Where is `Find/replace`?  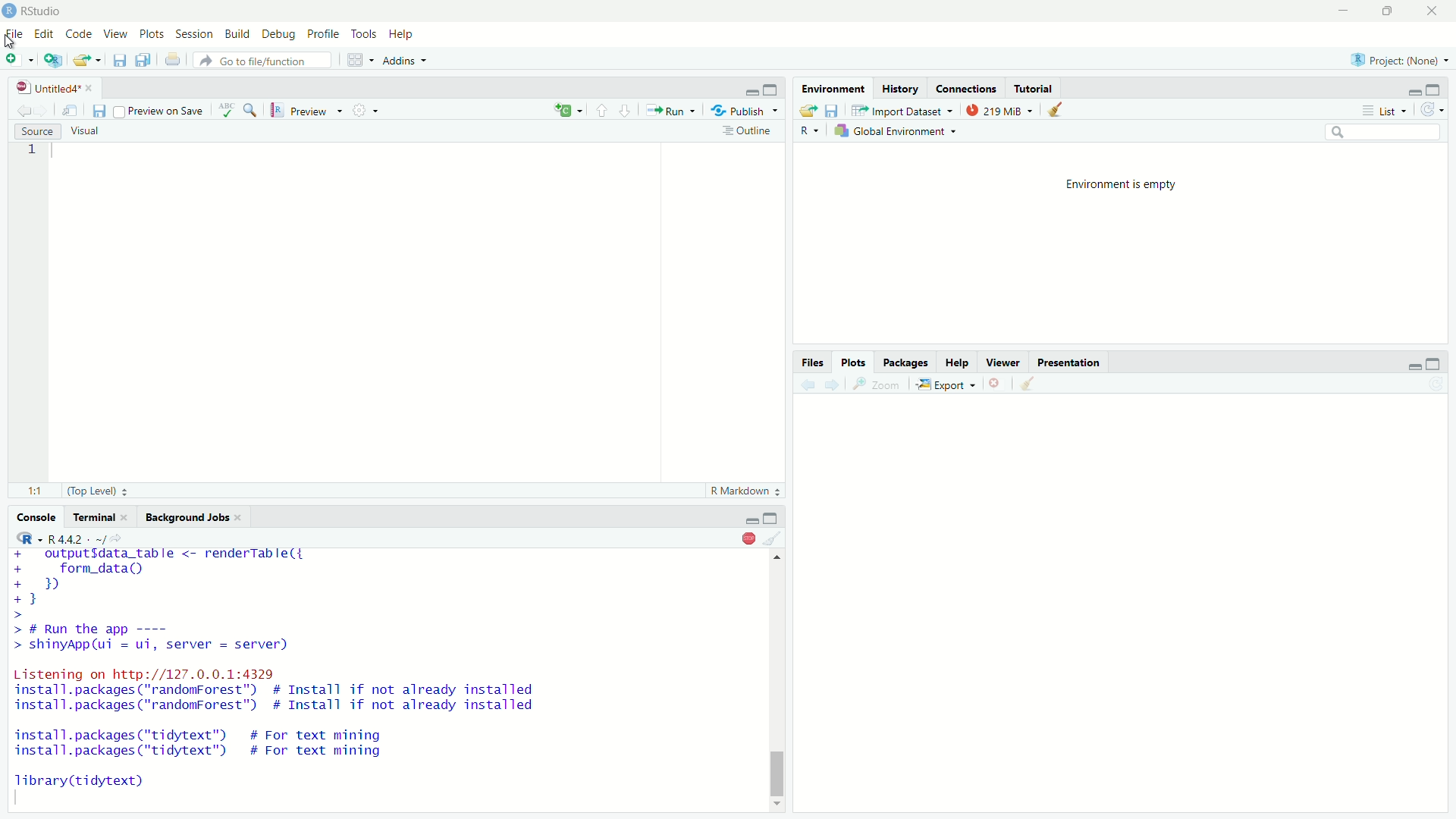 Find/replace is located at coordinates (255, 109).